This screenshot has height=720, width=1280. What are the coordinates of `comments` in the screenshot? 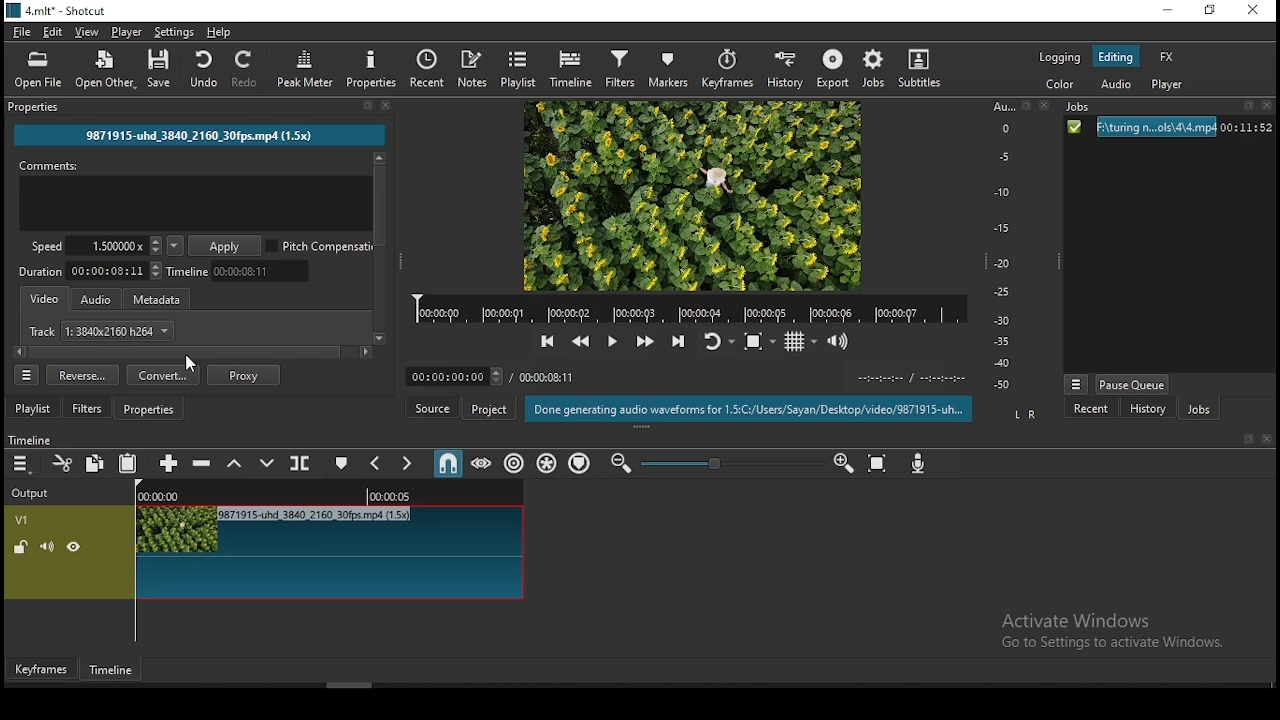 It's located at (195, 194).